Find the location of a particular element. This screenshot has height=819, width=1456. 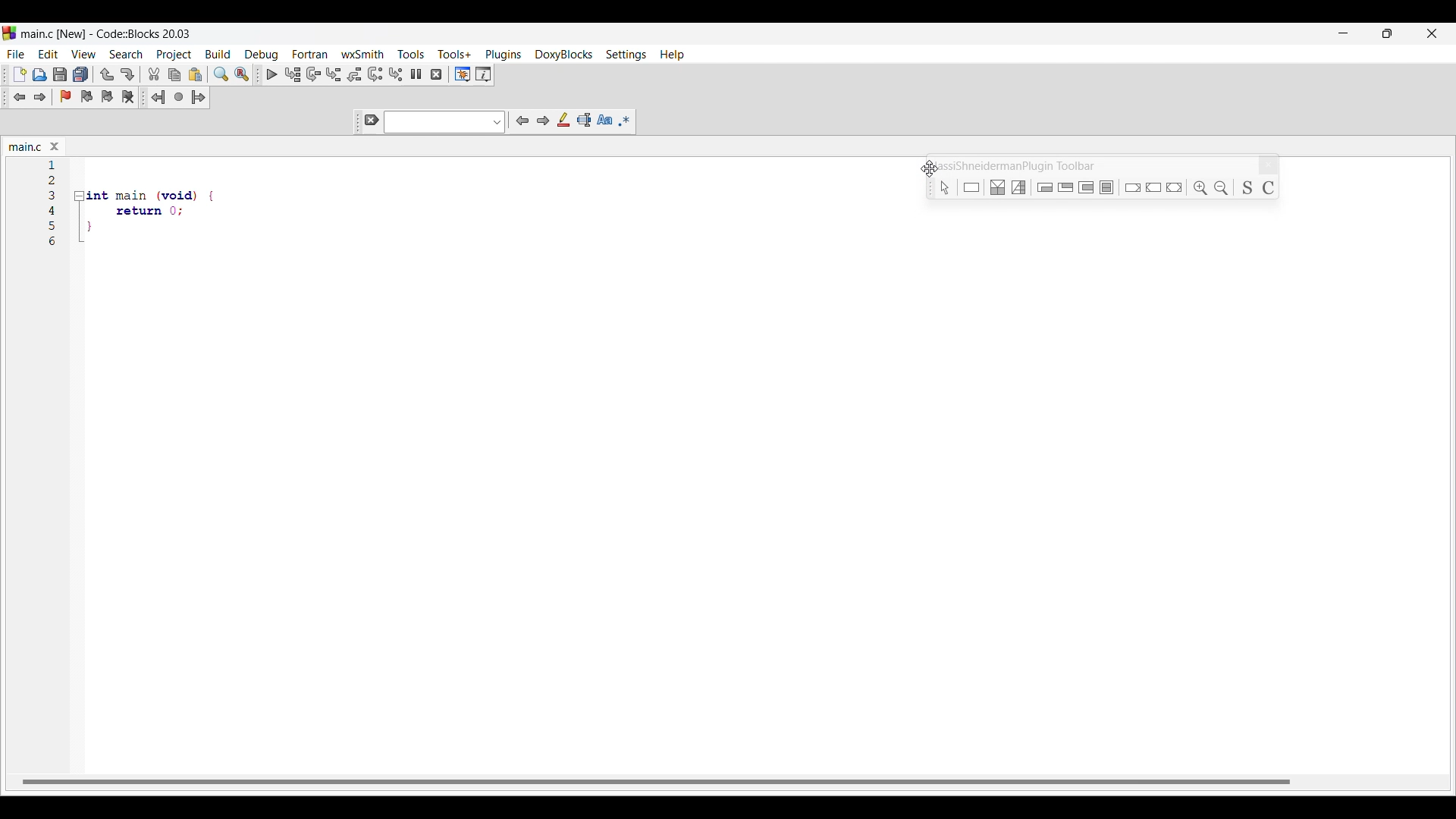

 is located at coordinates (1155, 186).